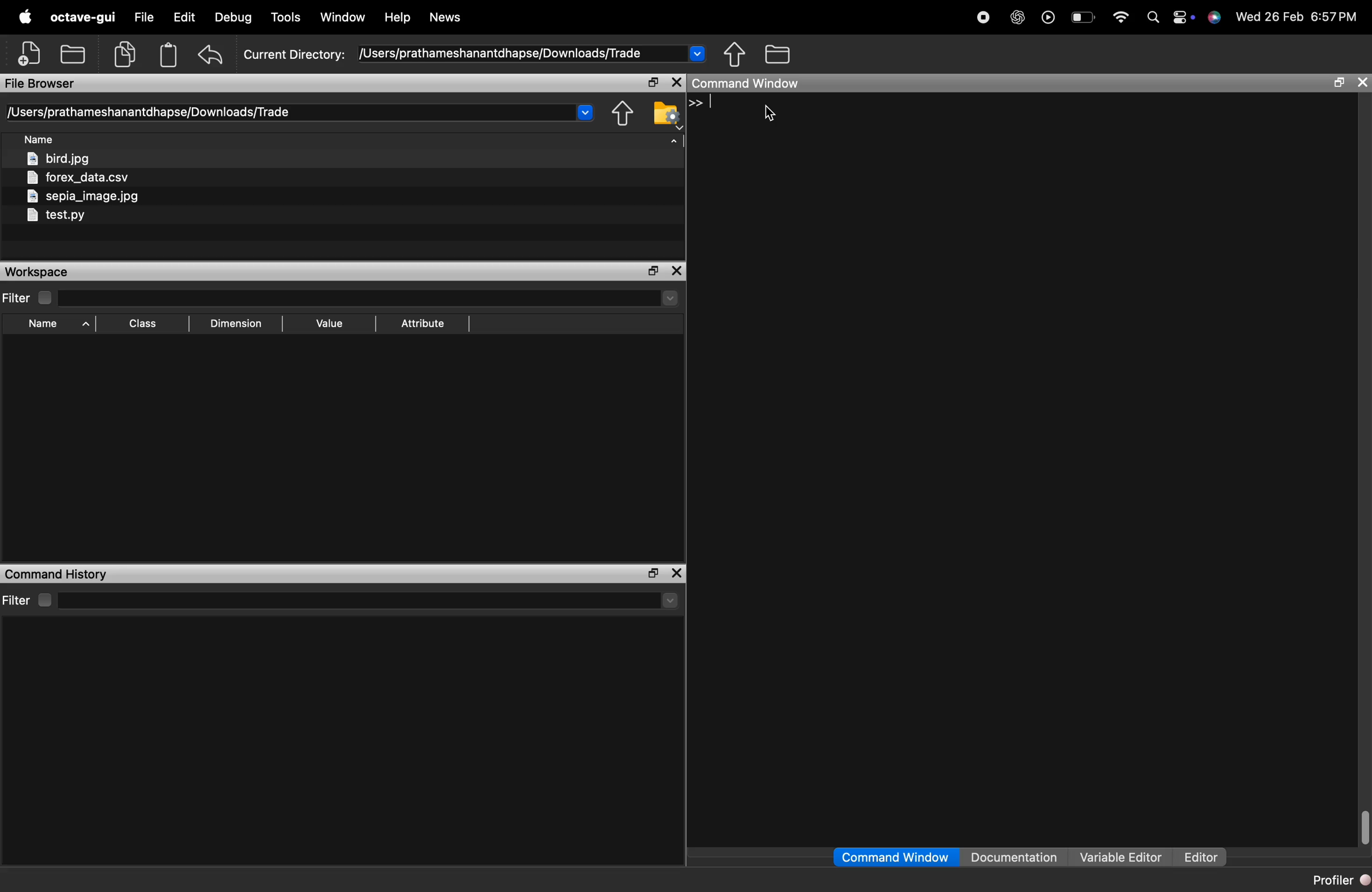 Image resolution: width=1372 pixels, height=892 pixels. What do you see at coordinates (1086, 18) in the screenshot?
I see `battery` at bounding box center [1086, 18].